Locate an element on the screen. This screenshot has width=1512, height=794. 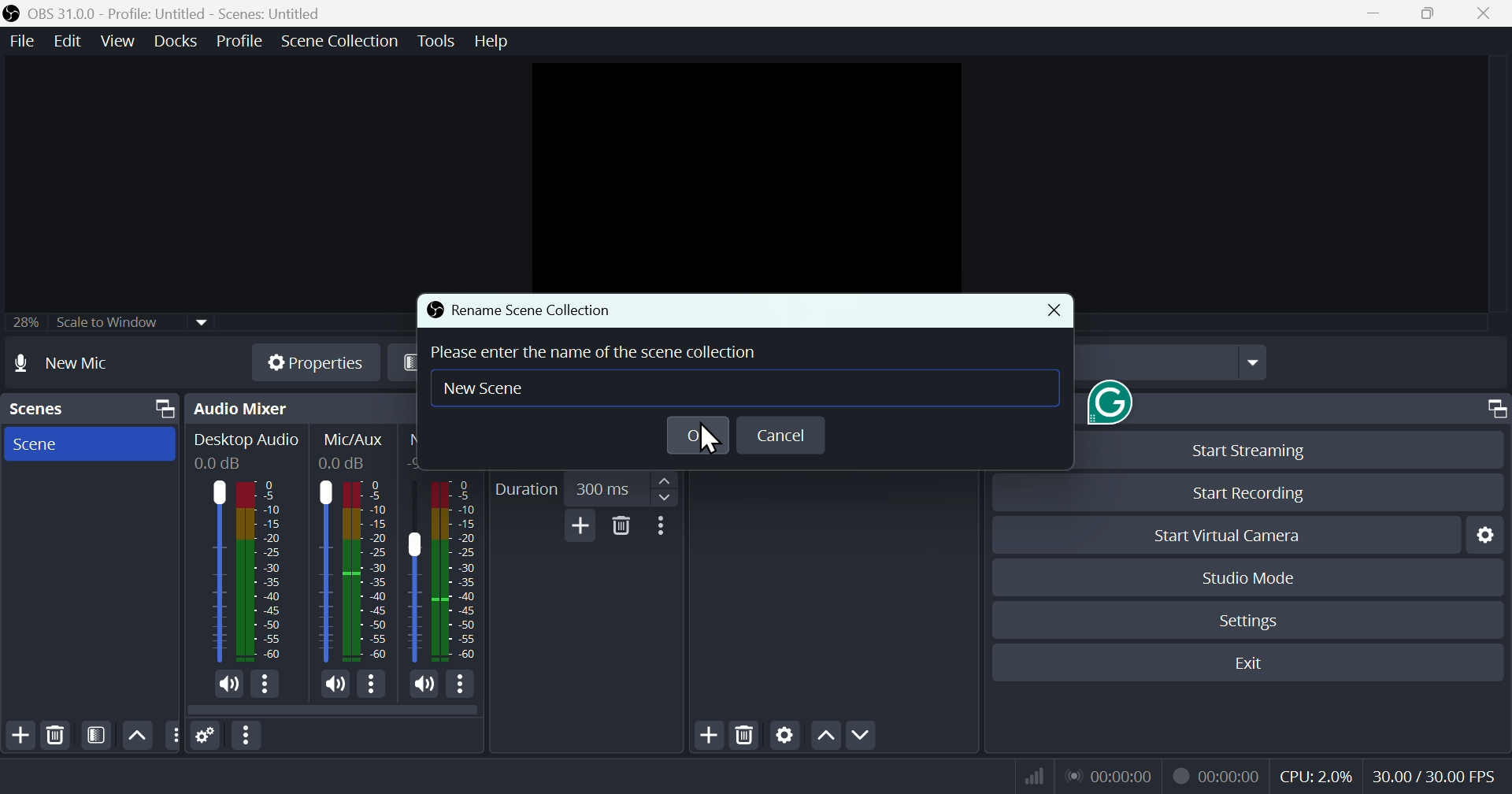
Please enter the name of scene collection is located at coordinates (595, 351).